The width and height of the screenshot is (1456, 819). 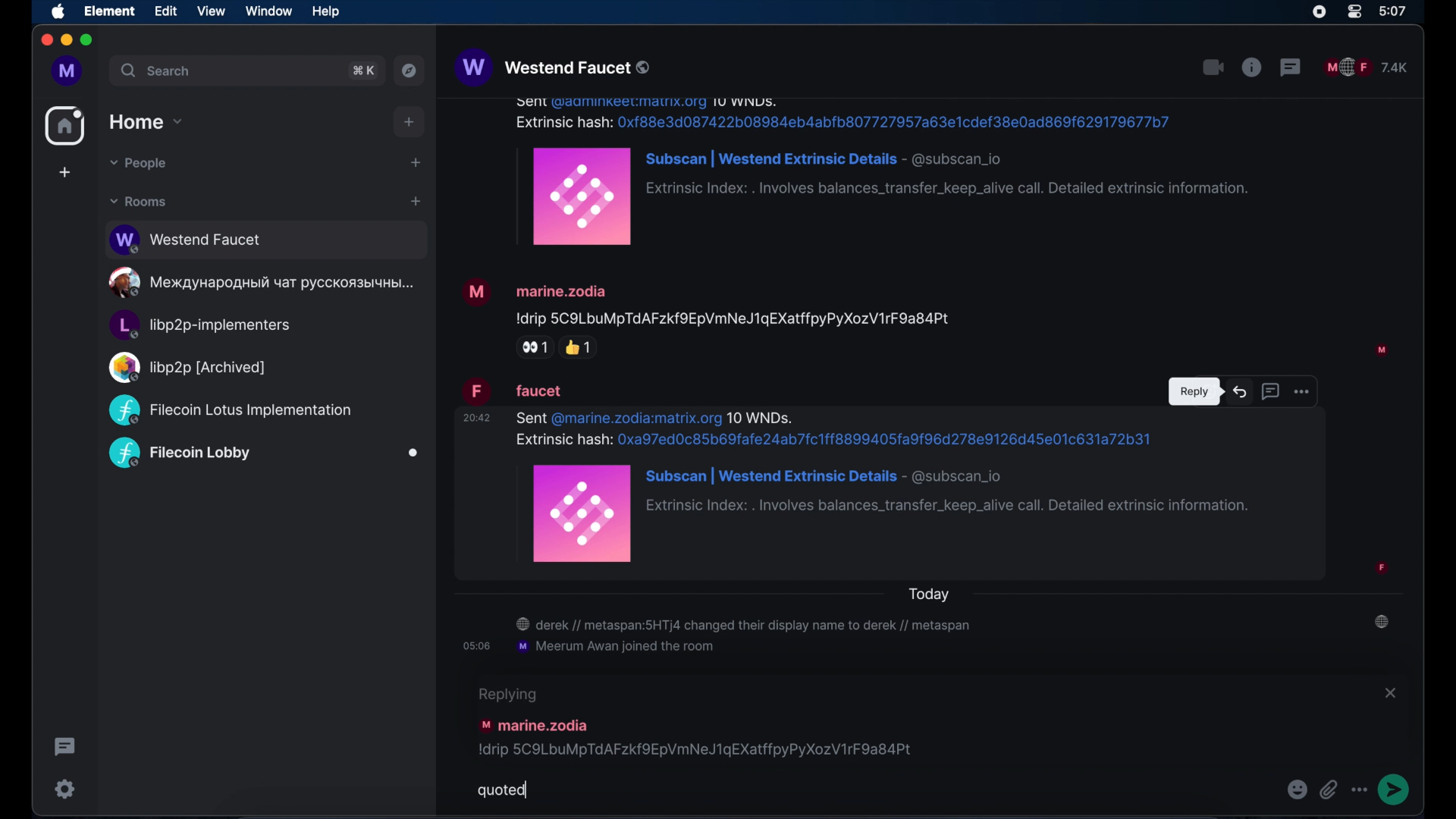 What do you see at coordinates (1241, 391) in the screenshot?
I see `reply` at bounding box center [1241, 391].